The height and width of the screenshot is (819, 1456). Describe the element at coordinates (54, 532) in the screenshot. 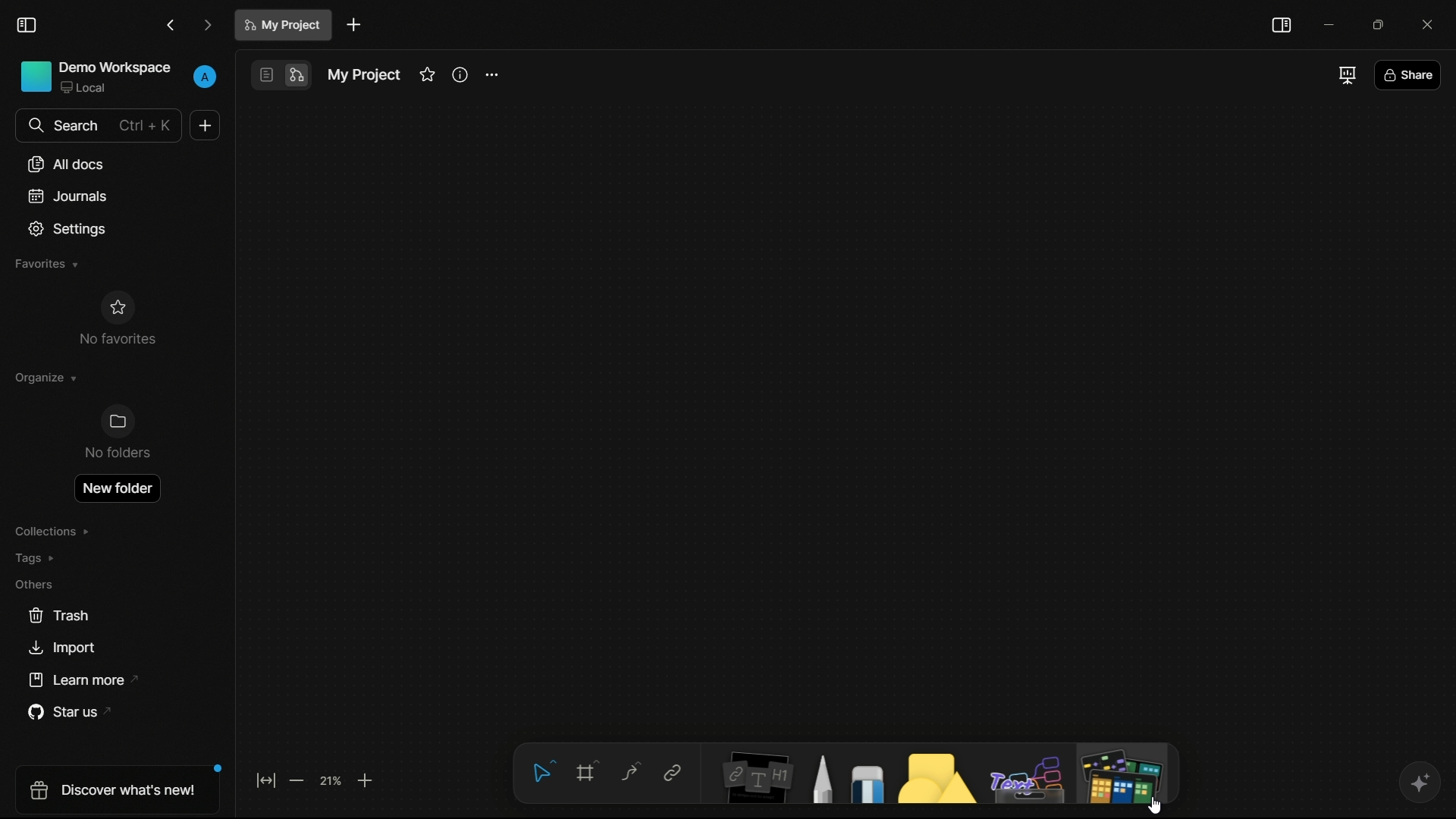

I see `collections` at that location.